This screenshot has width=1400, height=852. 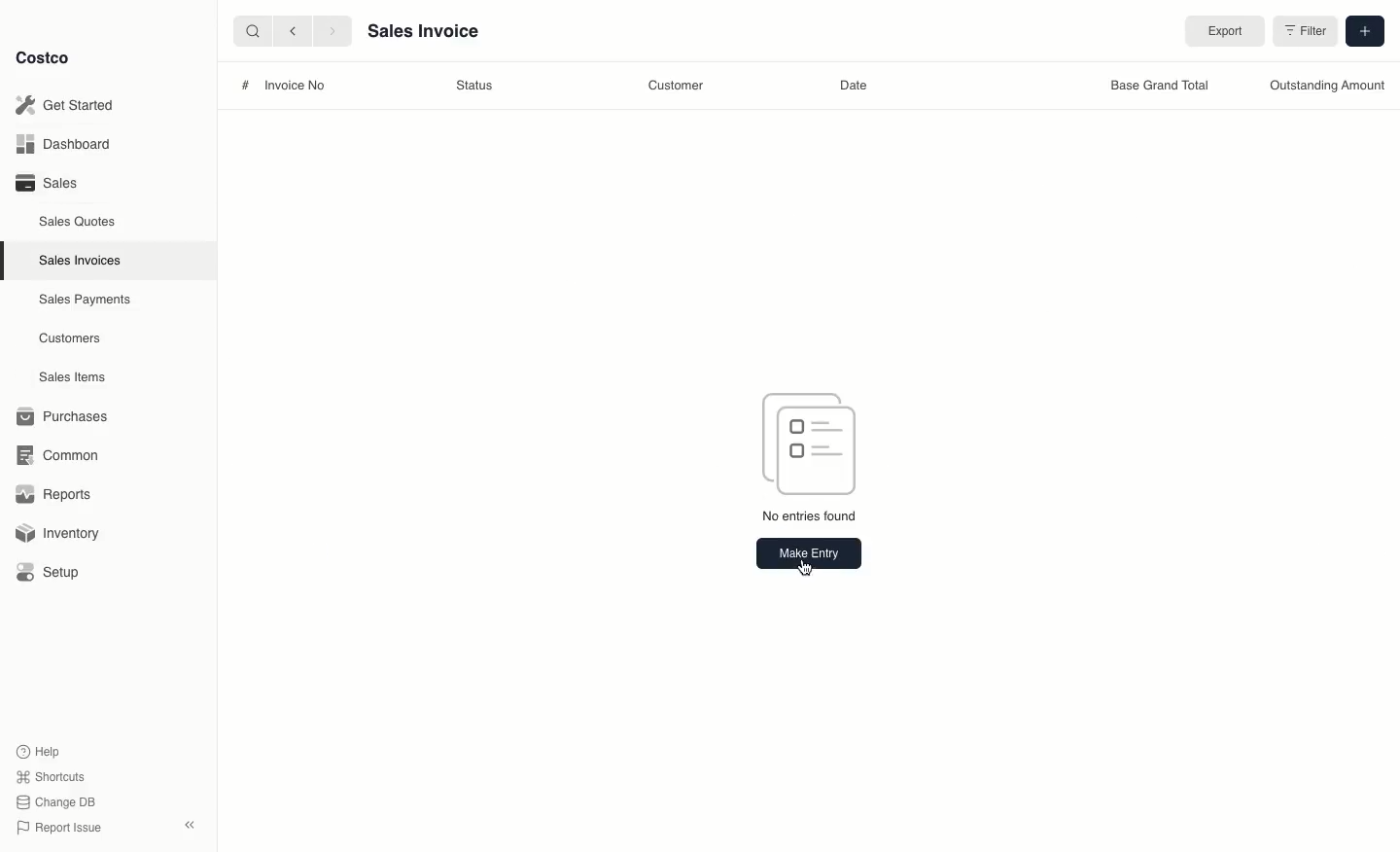 I want to click on Date, so click(x=858, y=88).